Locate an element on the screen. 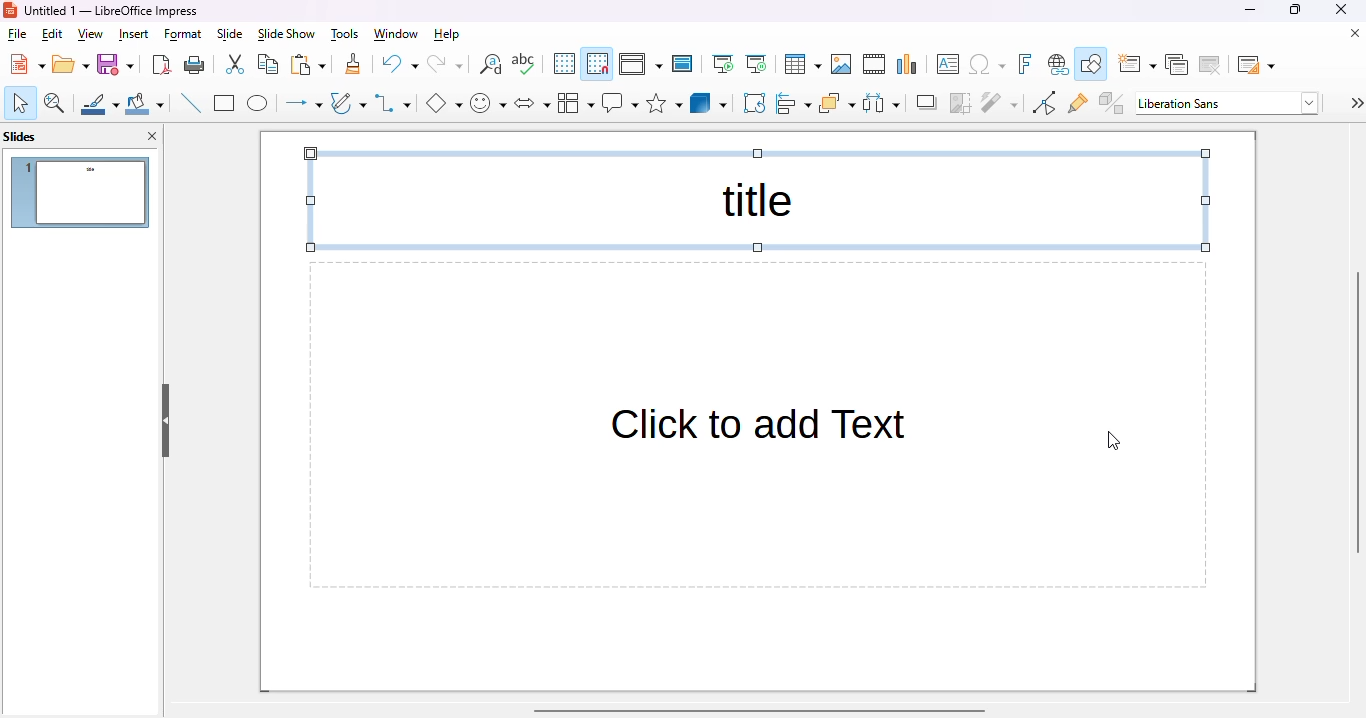 This screenshot has width=1366, height=718. cursor is located at coordinates (1112, 440).